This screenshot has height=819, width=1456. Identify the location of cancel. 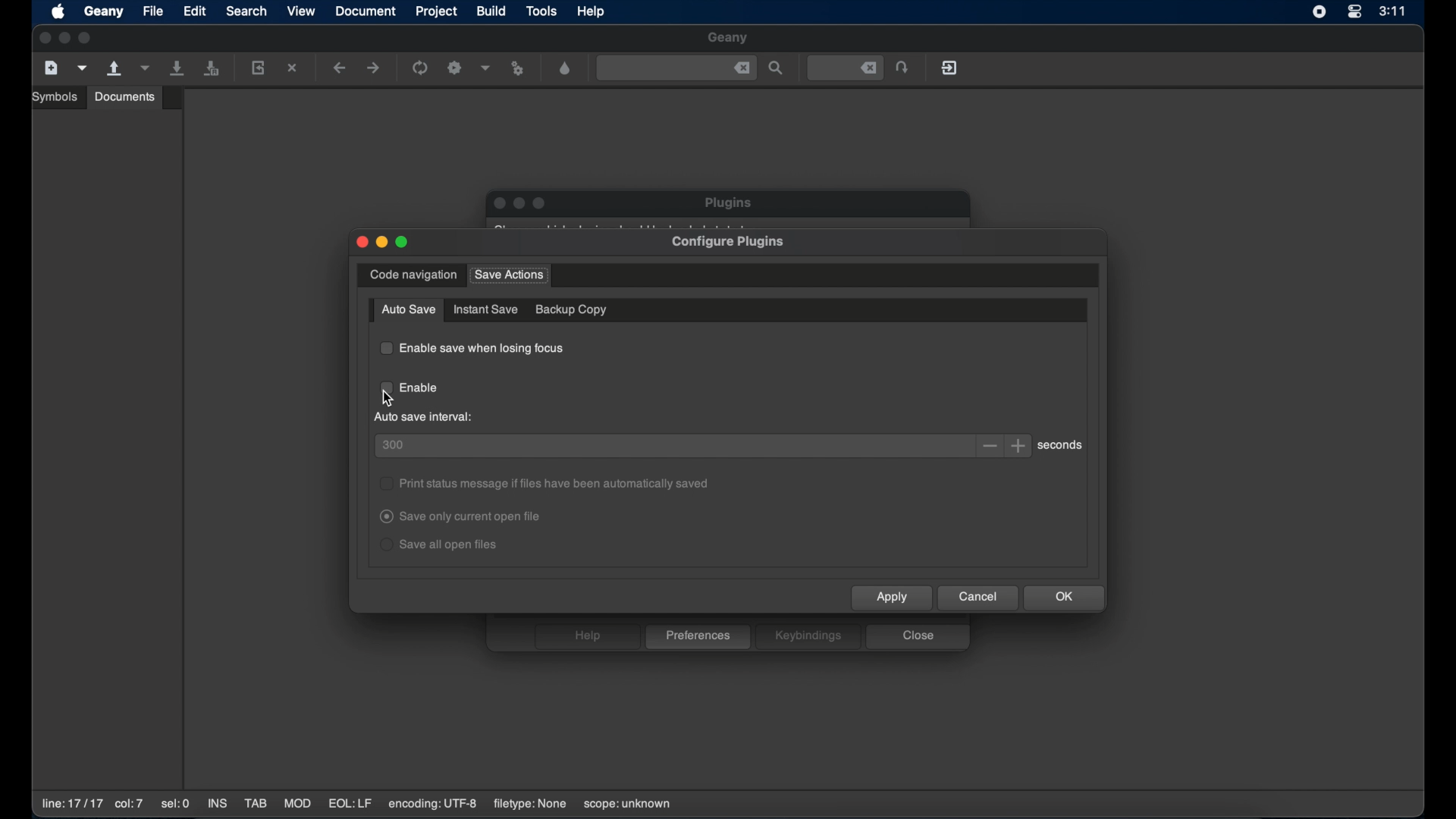
(979, 598).